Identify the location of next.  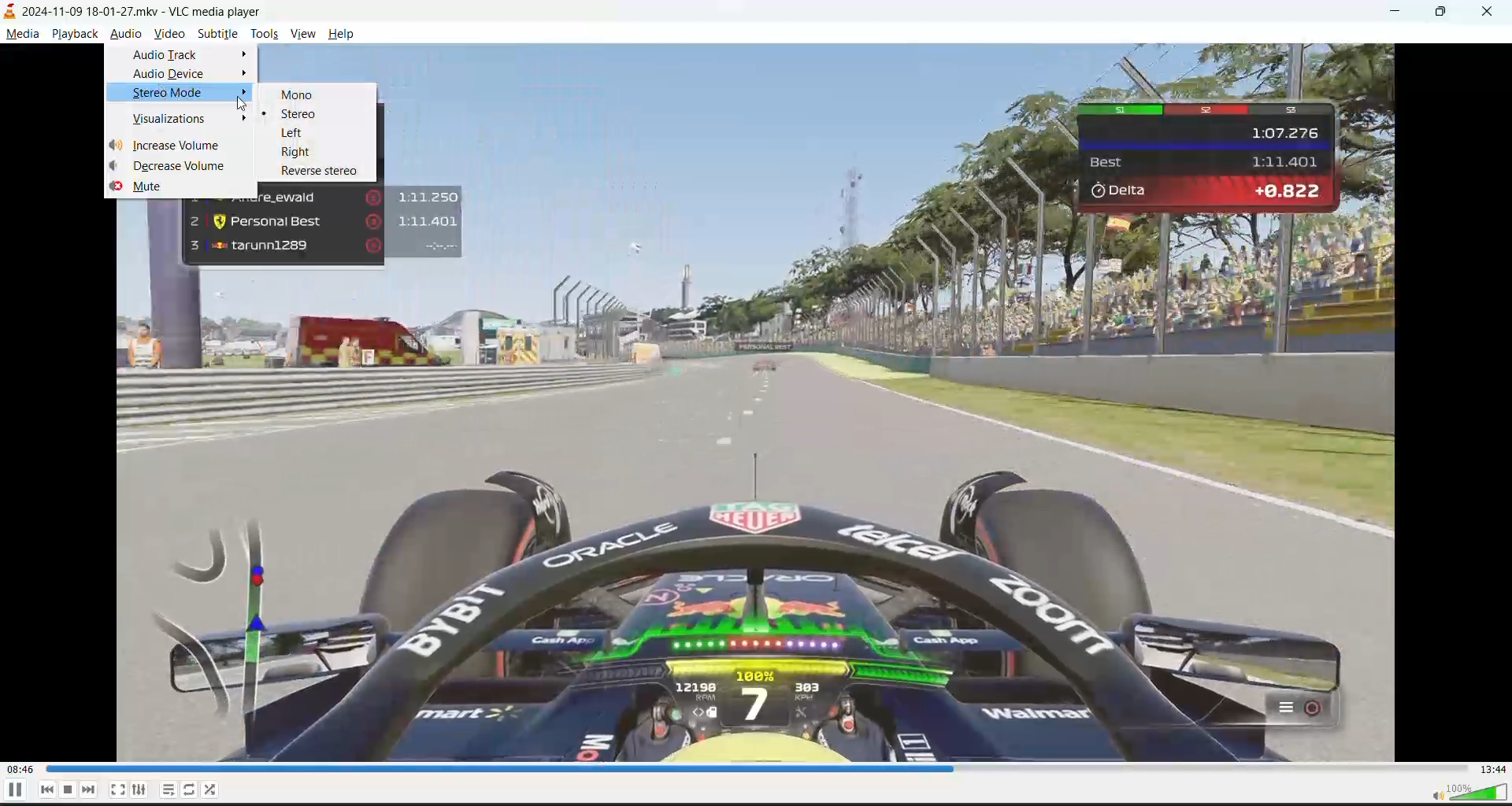
(87, 789).